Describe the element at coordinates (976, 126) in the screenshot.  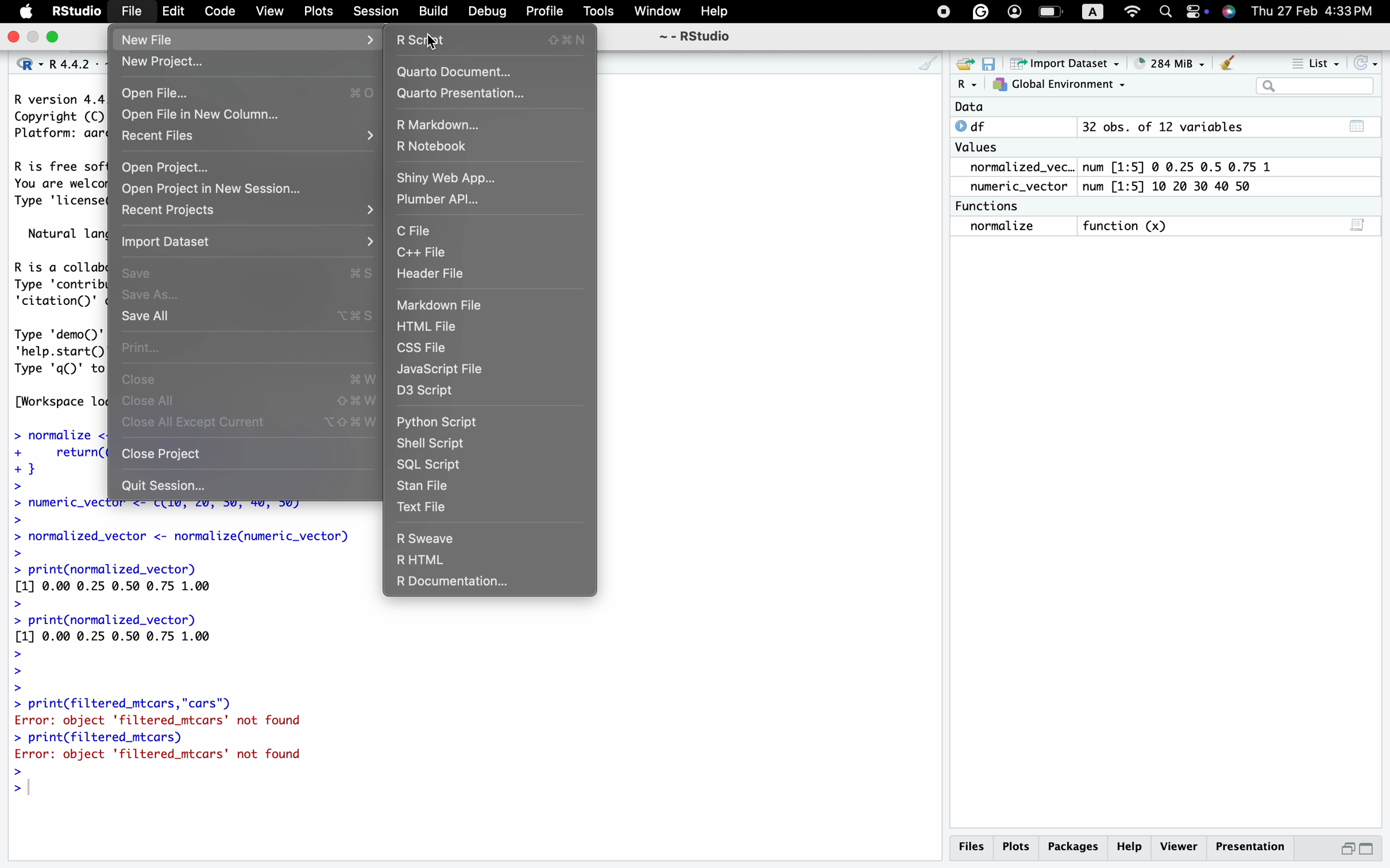
I see `0 df` at that location.